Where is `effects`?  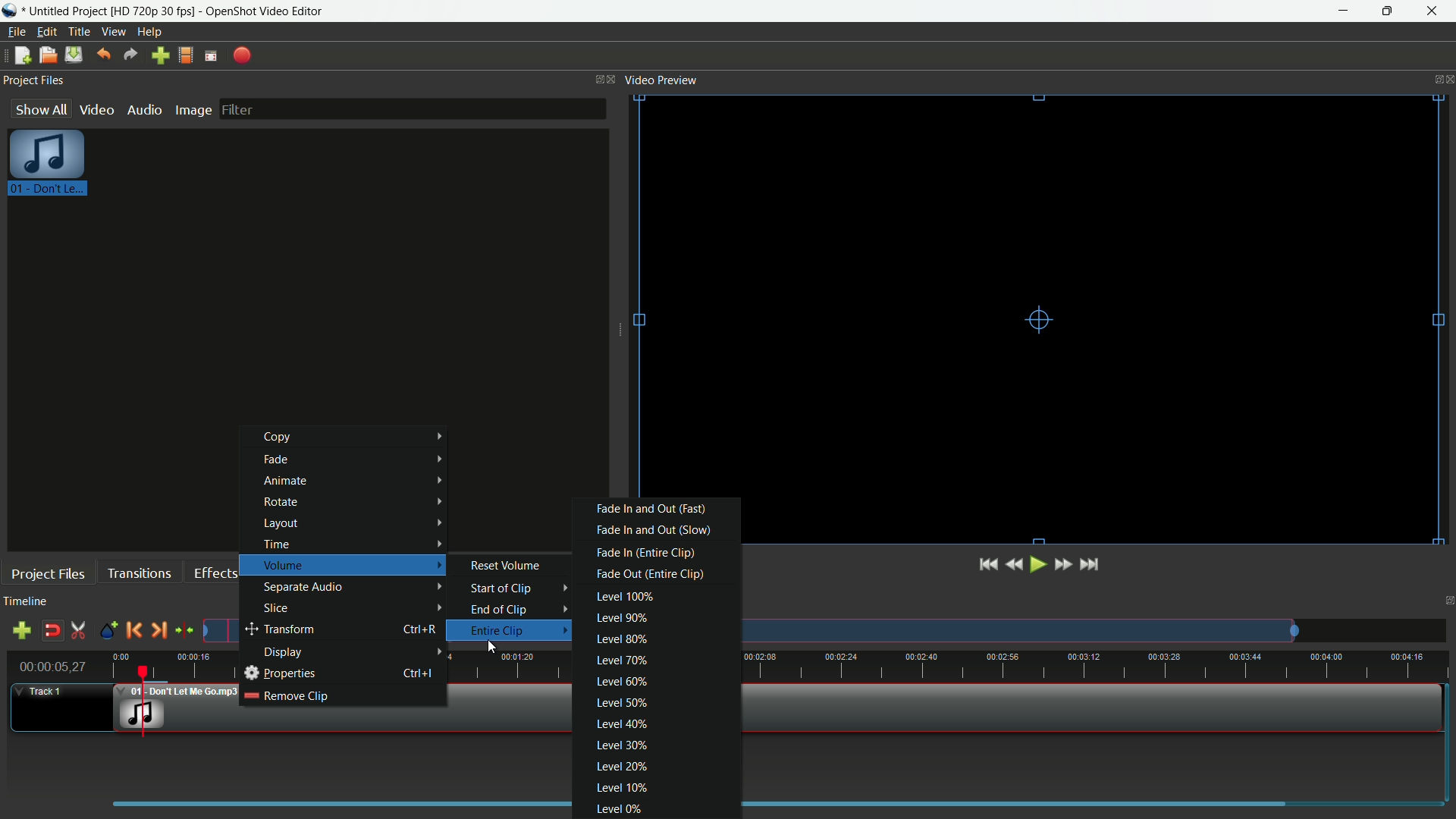 effects is located at coordinates (217, 573).